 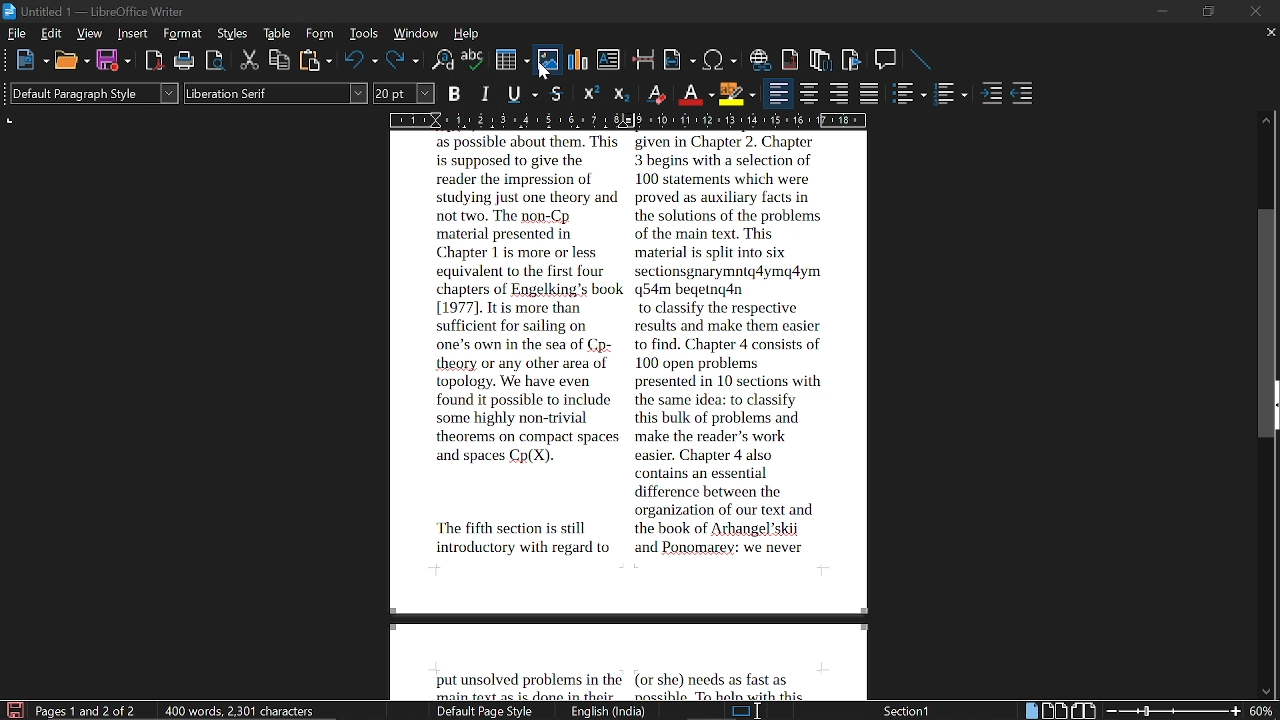 What do you see at coordinates (610, 711) in the screenshot?
I see `English India` at bounding box center [610, 711].